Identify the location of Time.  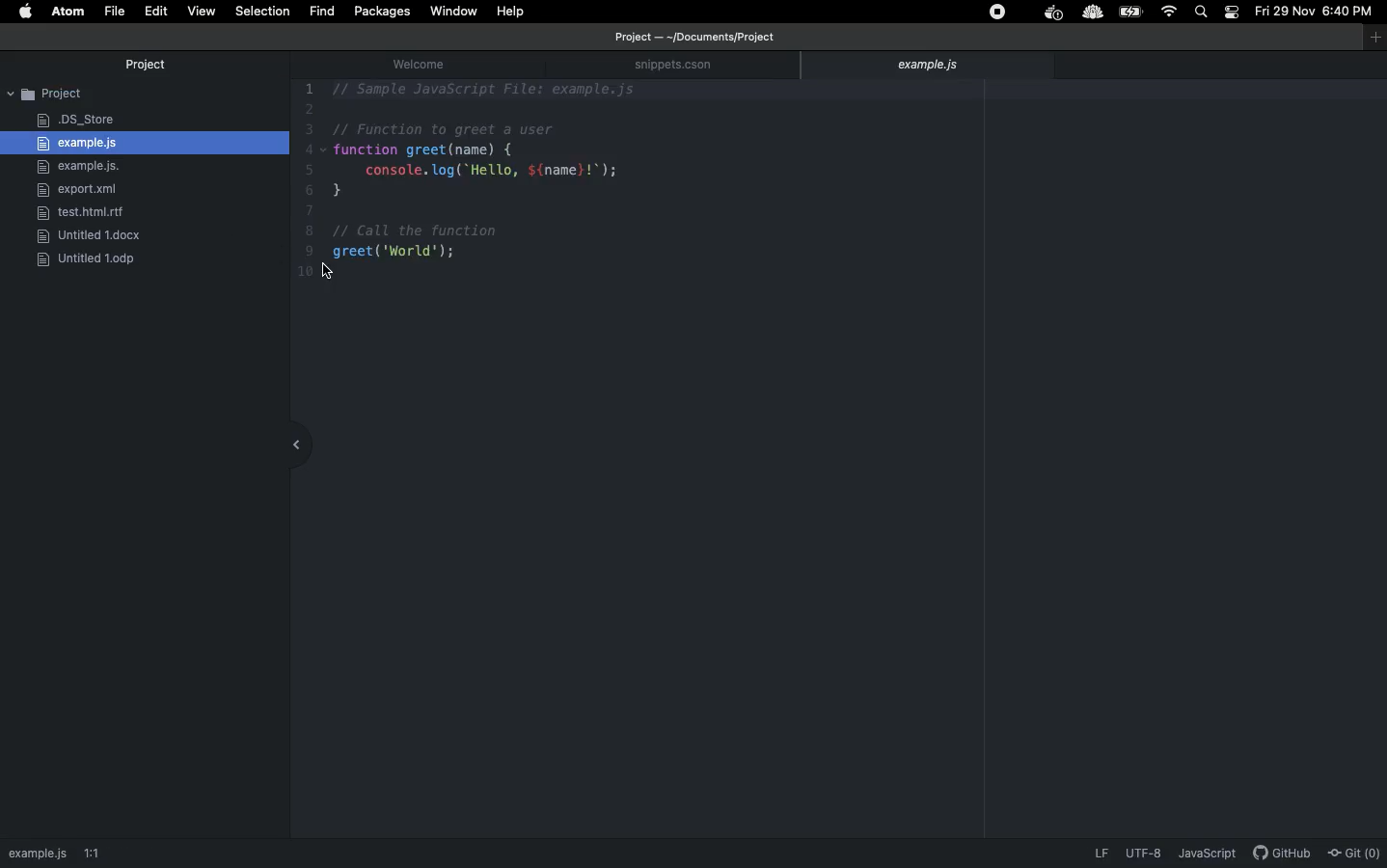
(1352, 14).